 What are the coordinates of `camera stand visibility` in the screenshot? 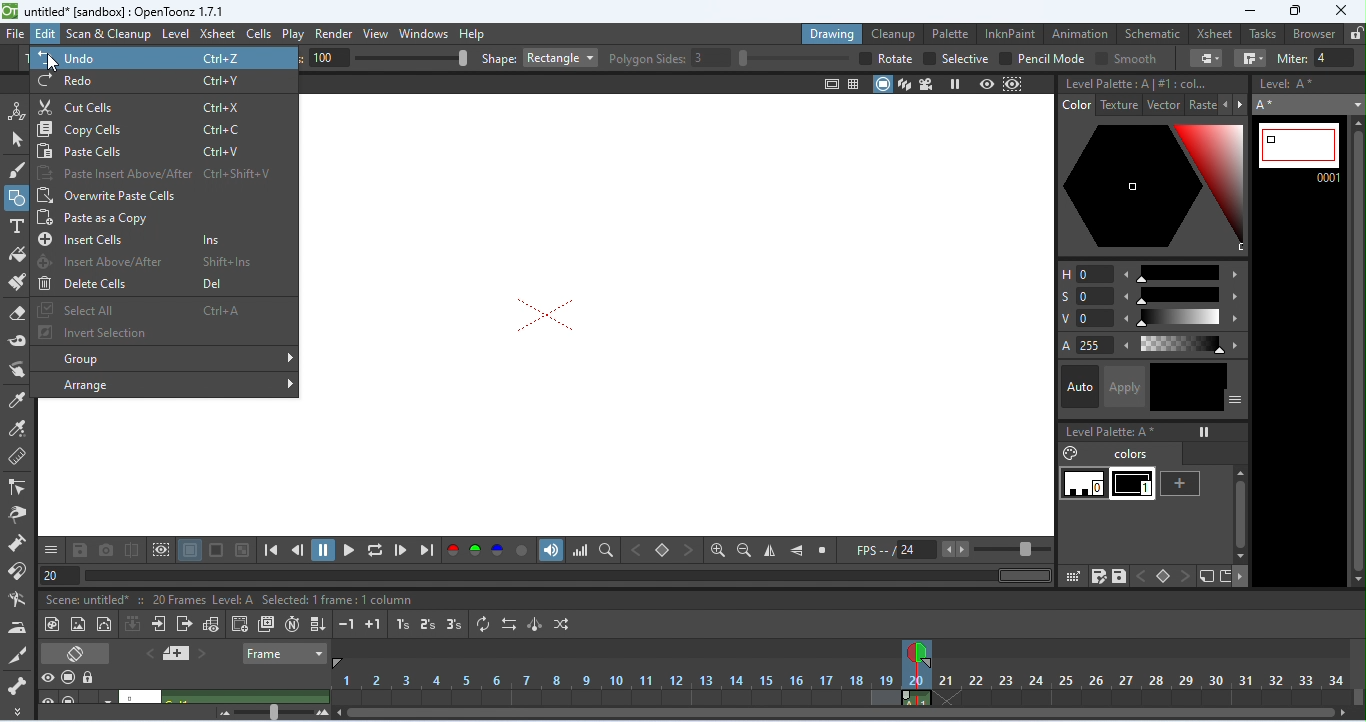 It's located at (69, 677).